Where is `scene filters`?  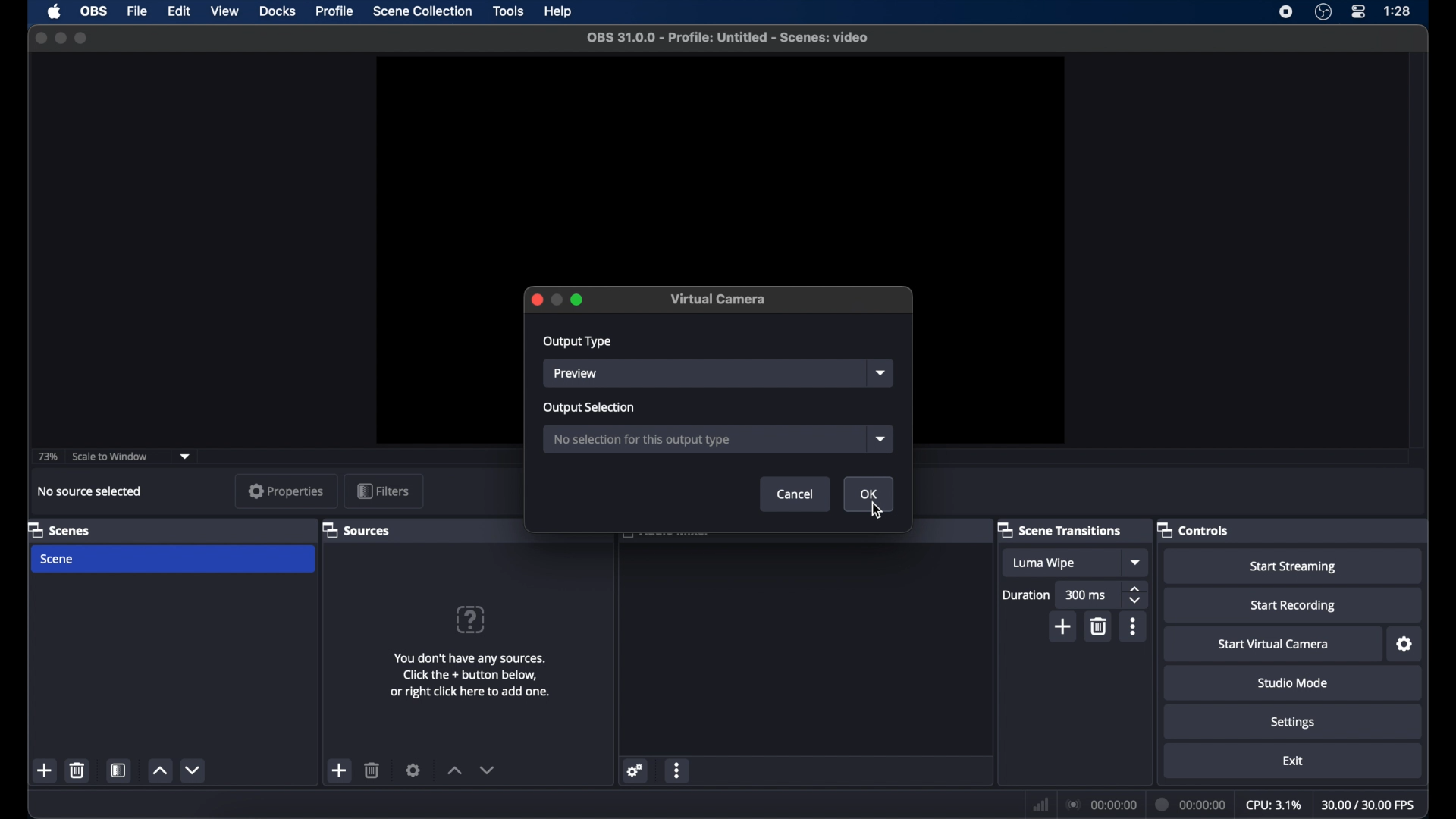
scene filters is located at coordinates (120, 770).